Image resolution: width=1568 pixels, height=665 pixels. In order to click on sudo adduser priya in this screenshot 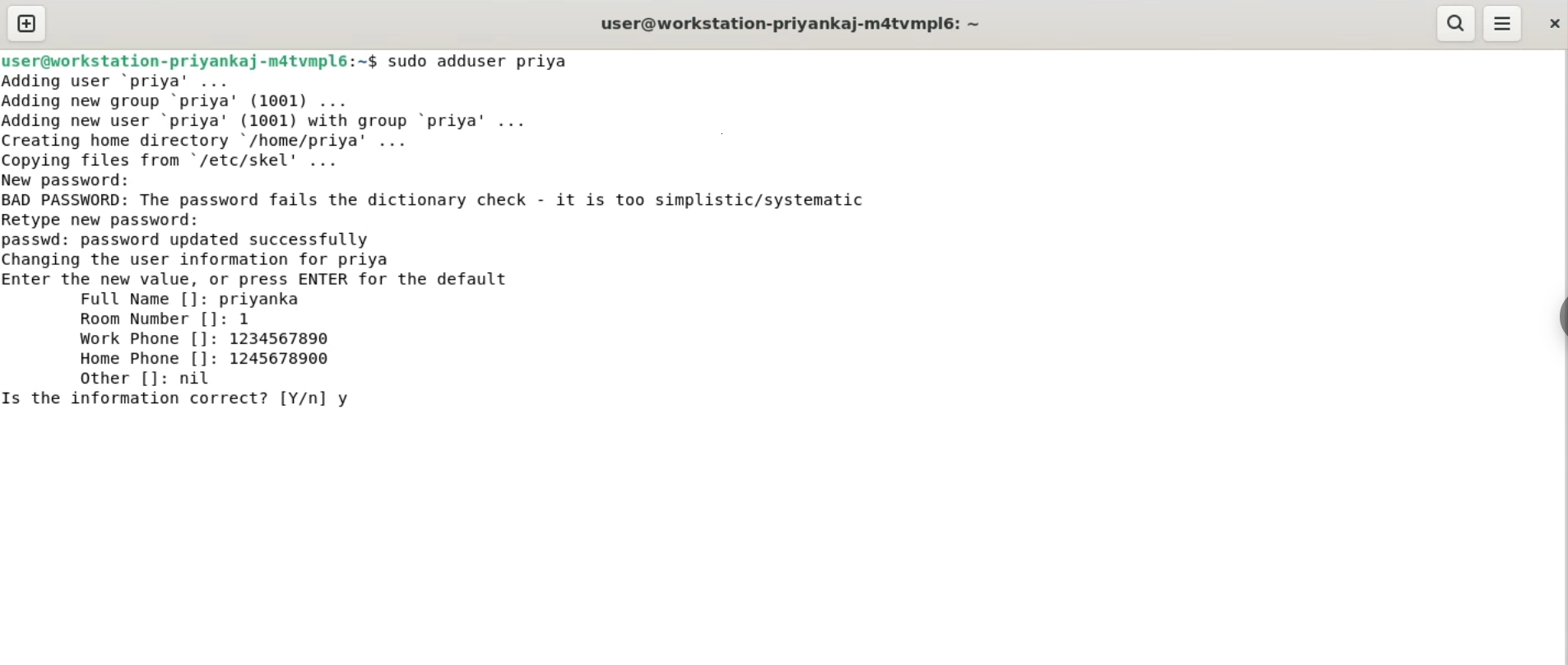, I will do `click(480, 61)`.